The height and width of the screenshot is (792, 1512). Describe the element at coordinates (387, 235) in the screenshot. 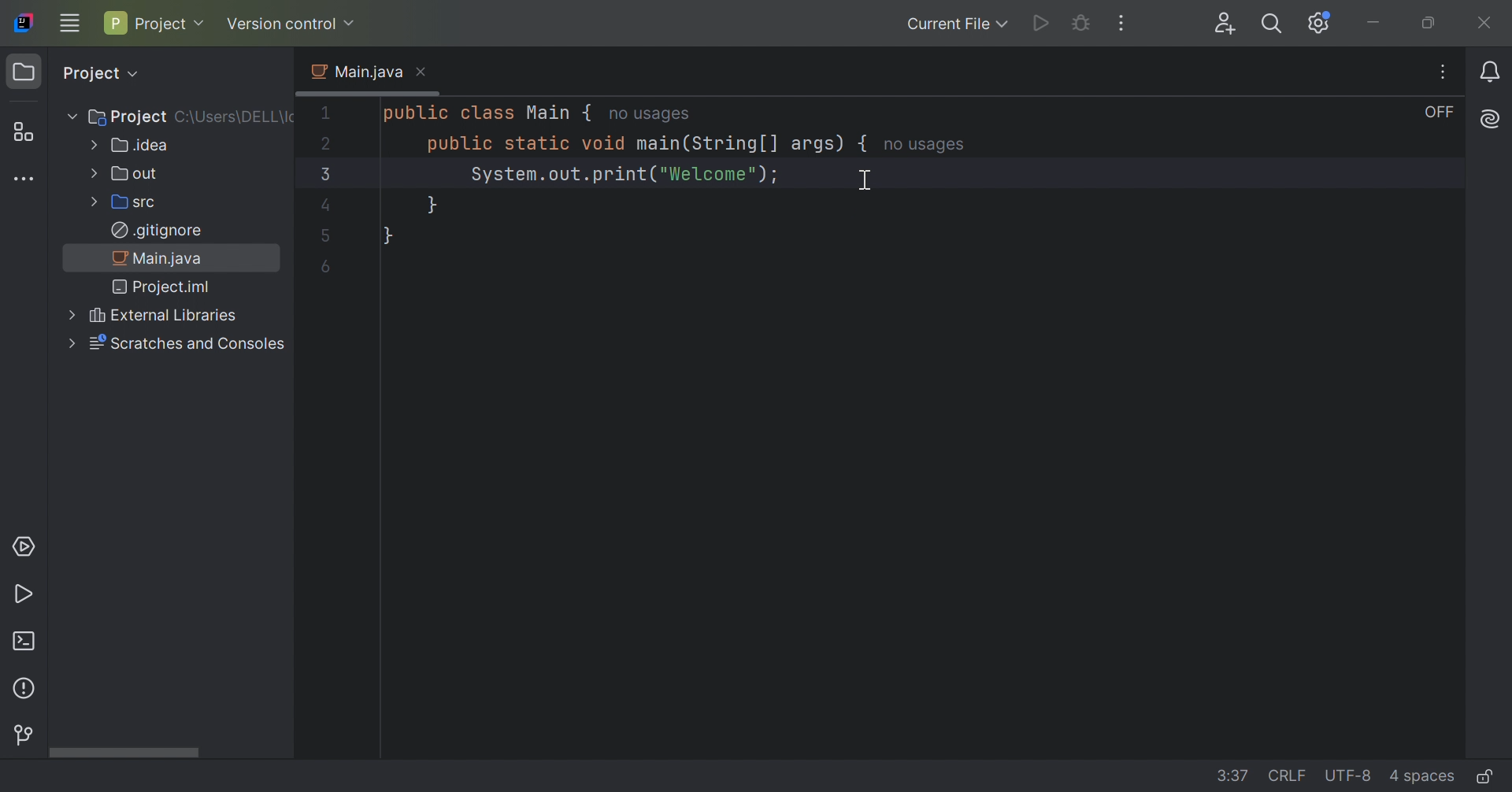

I see `}` at that location.